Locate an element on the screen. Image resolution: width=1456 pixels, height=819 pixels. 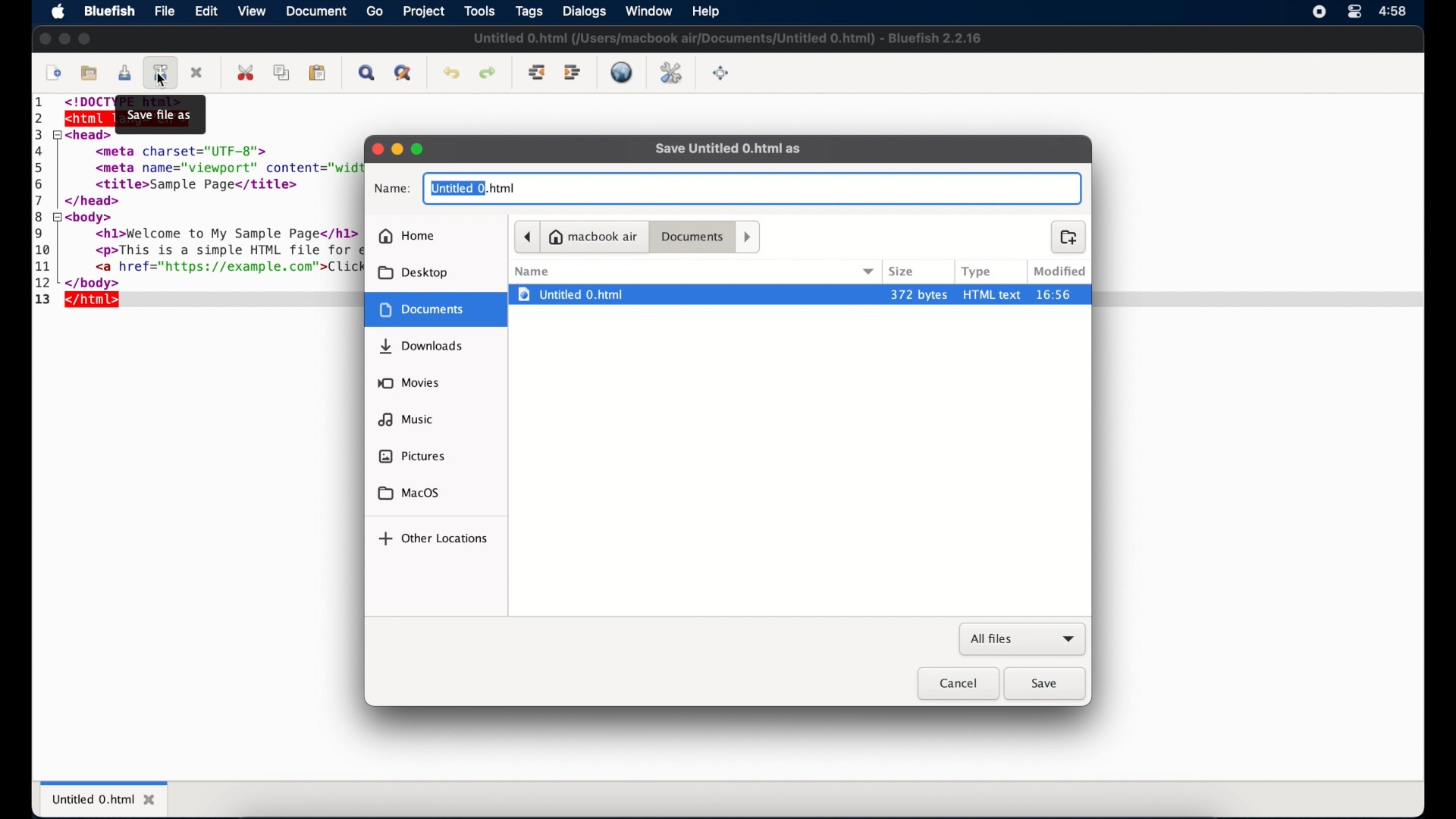
minimize is located at coordinates (64, 39).